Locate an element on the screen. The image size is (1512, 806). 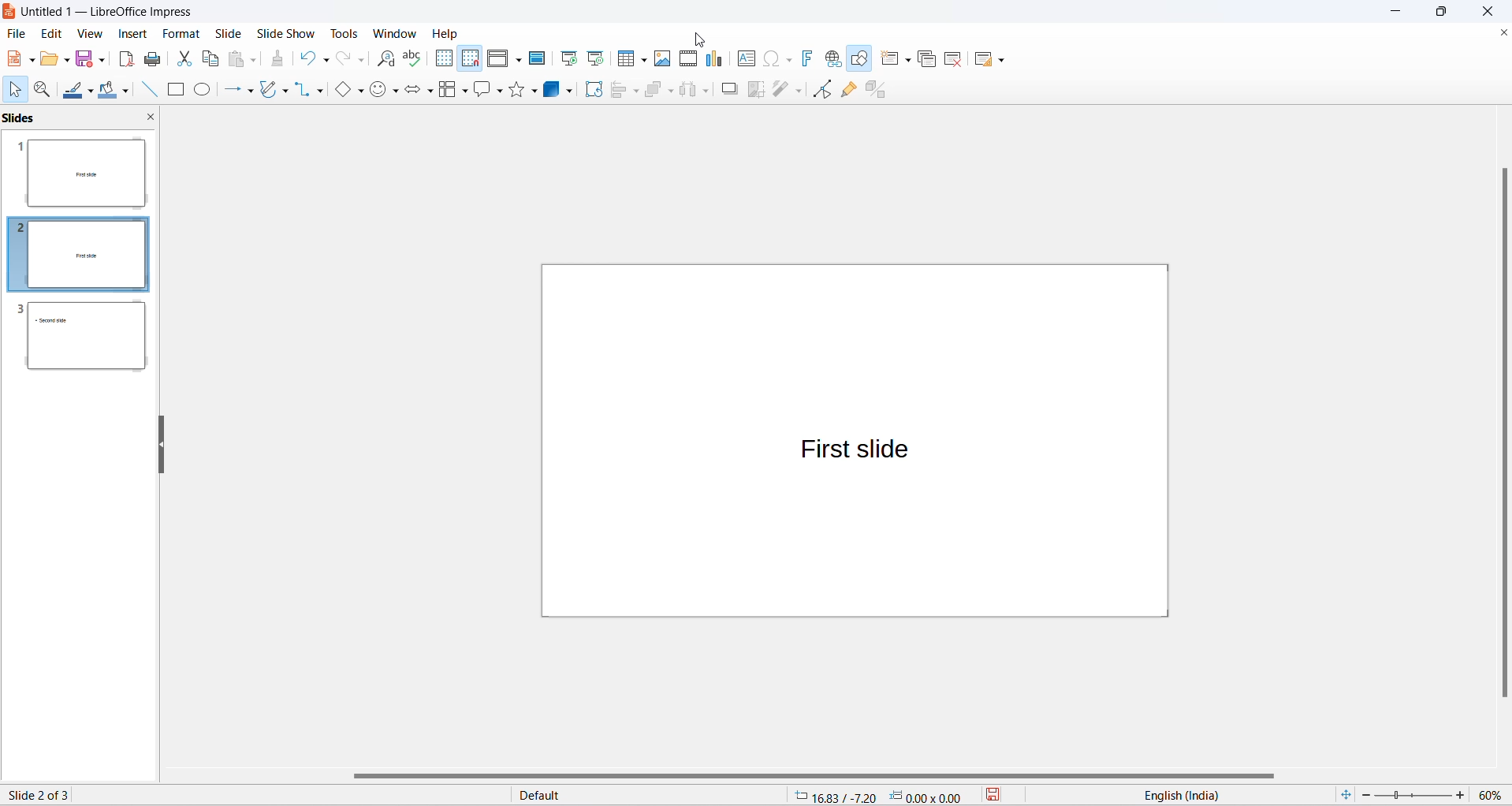
edit is located at coordinates (54, 33).